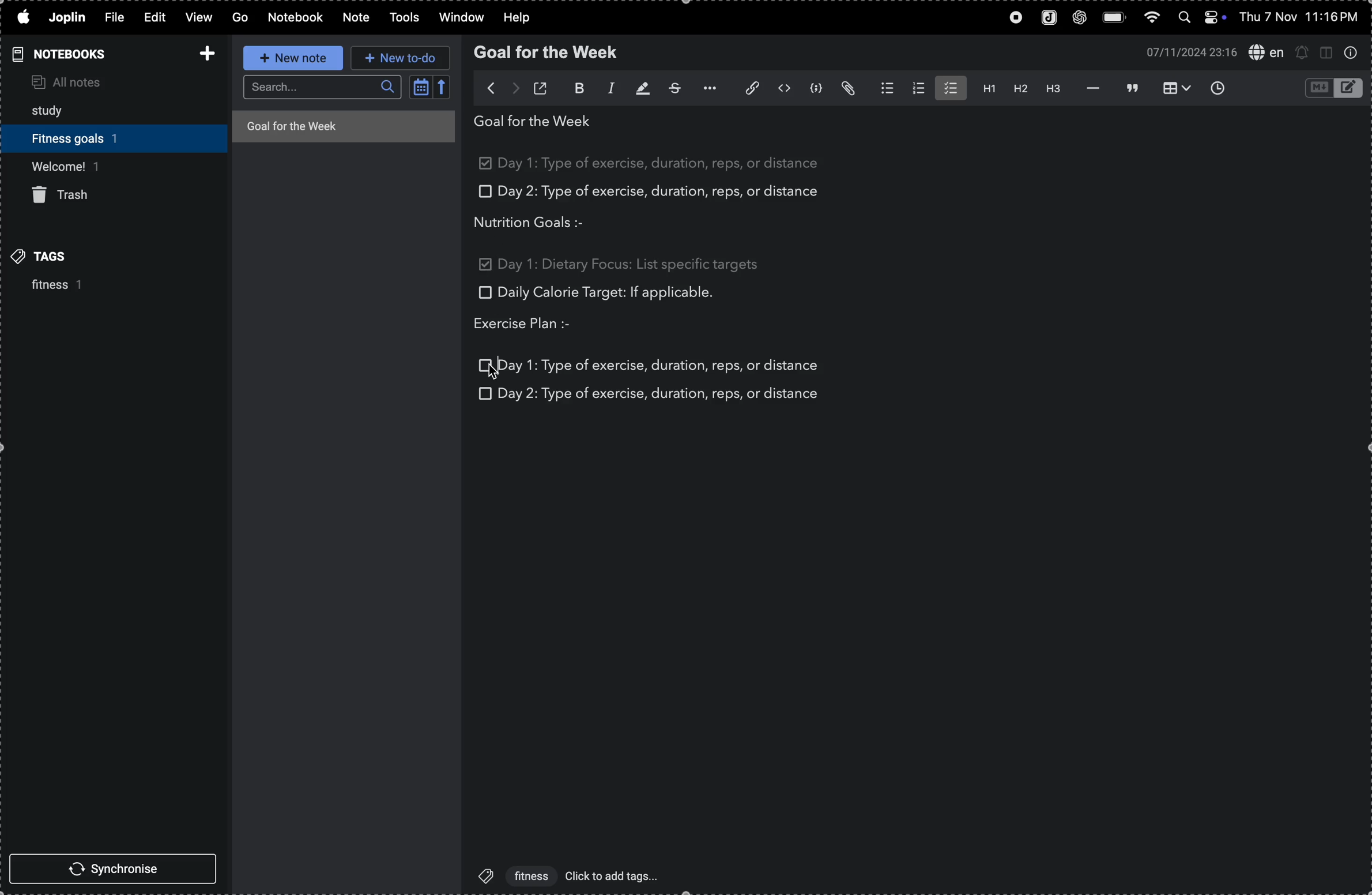 The image size is (1372, 895). Describe the element at coordinates (666, 163) in the screenshot. I see ` day 1: type of exercise, duration, reps, or distance` at that location.